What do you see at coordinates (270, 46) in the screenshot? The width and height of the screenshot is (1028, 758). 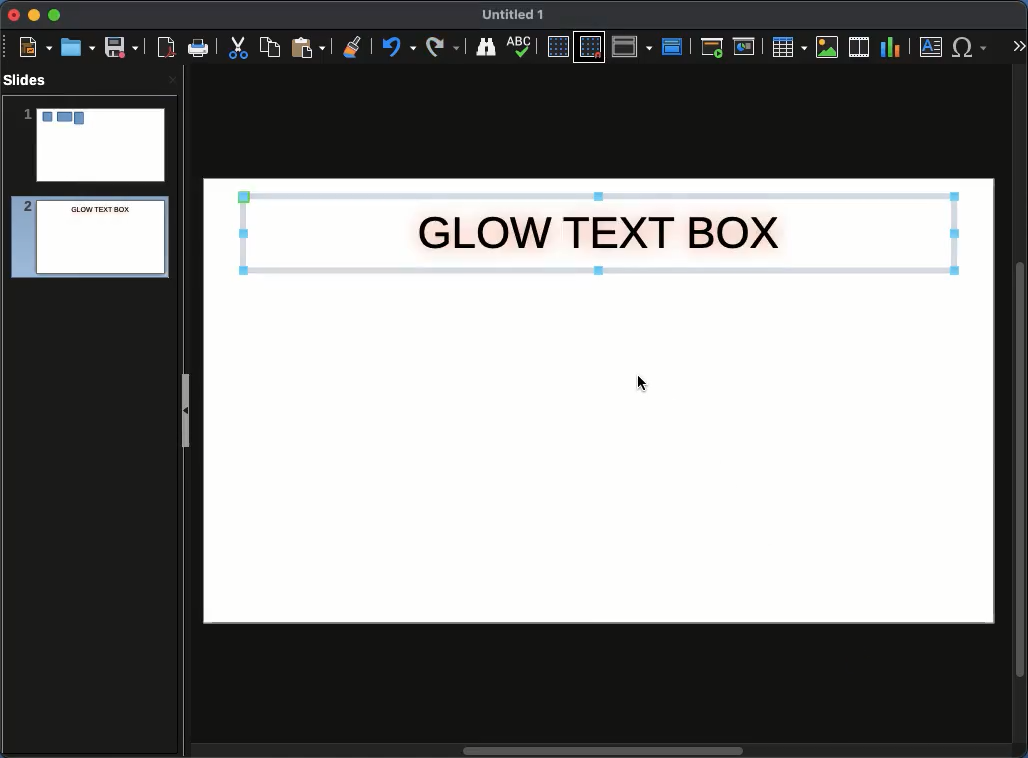 I see `Copy` at bounding box center [270, 46].